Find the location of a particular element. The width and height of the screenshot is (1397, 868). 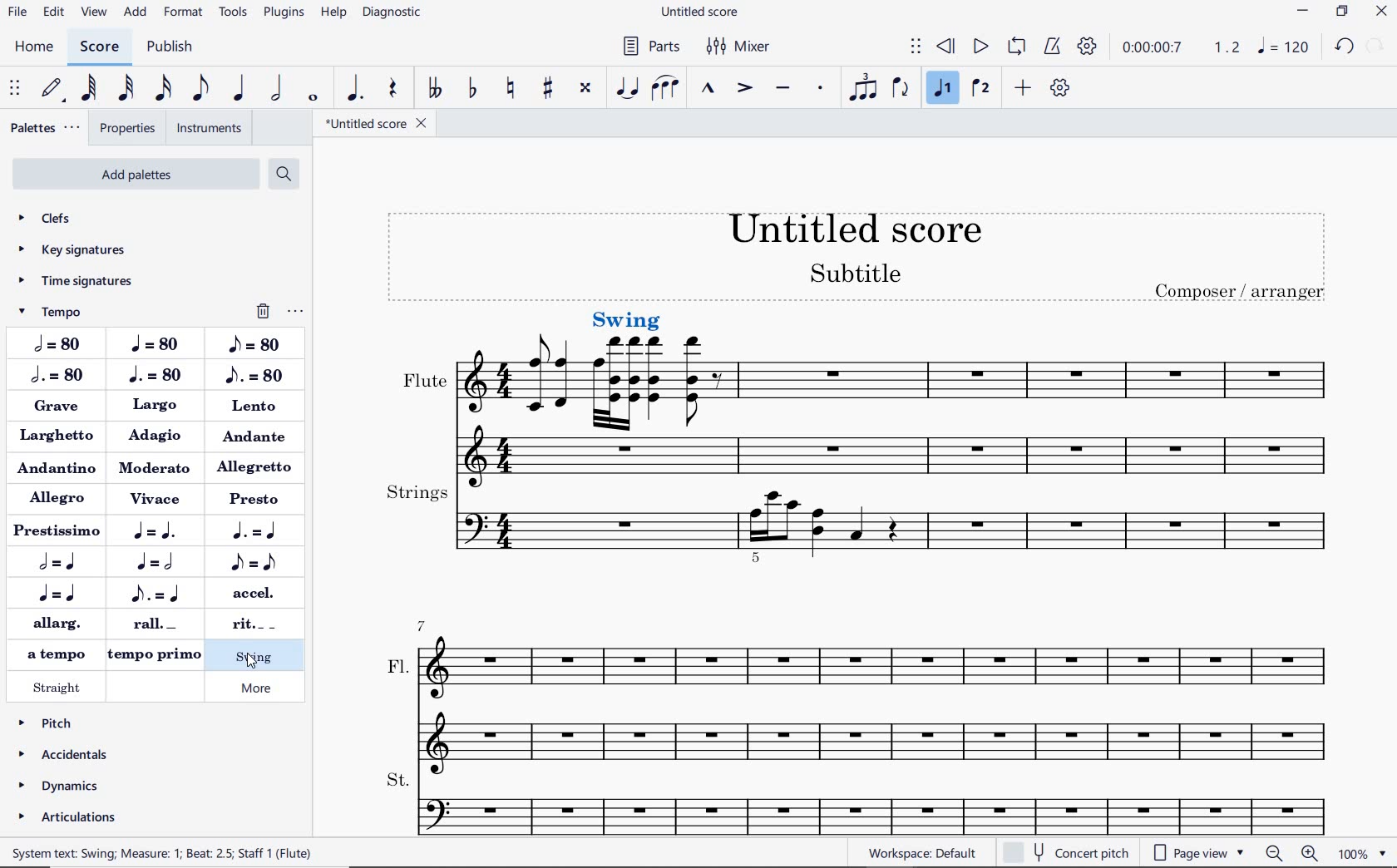

ACCEL. is located at coordinates (250, 593).